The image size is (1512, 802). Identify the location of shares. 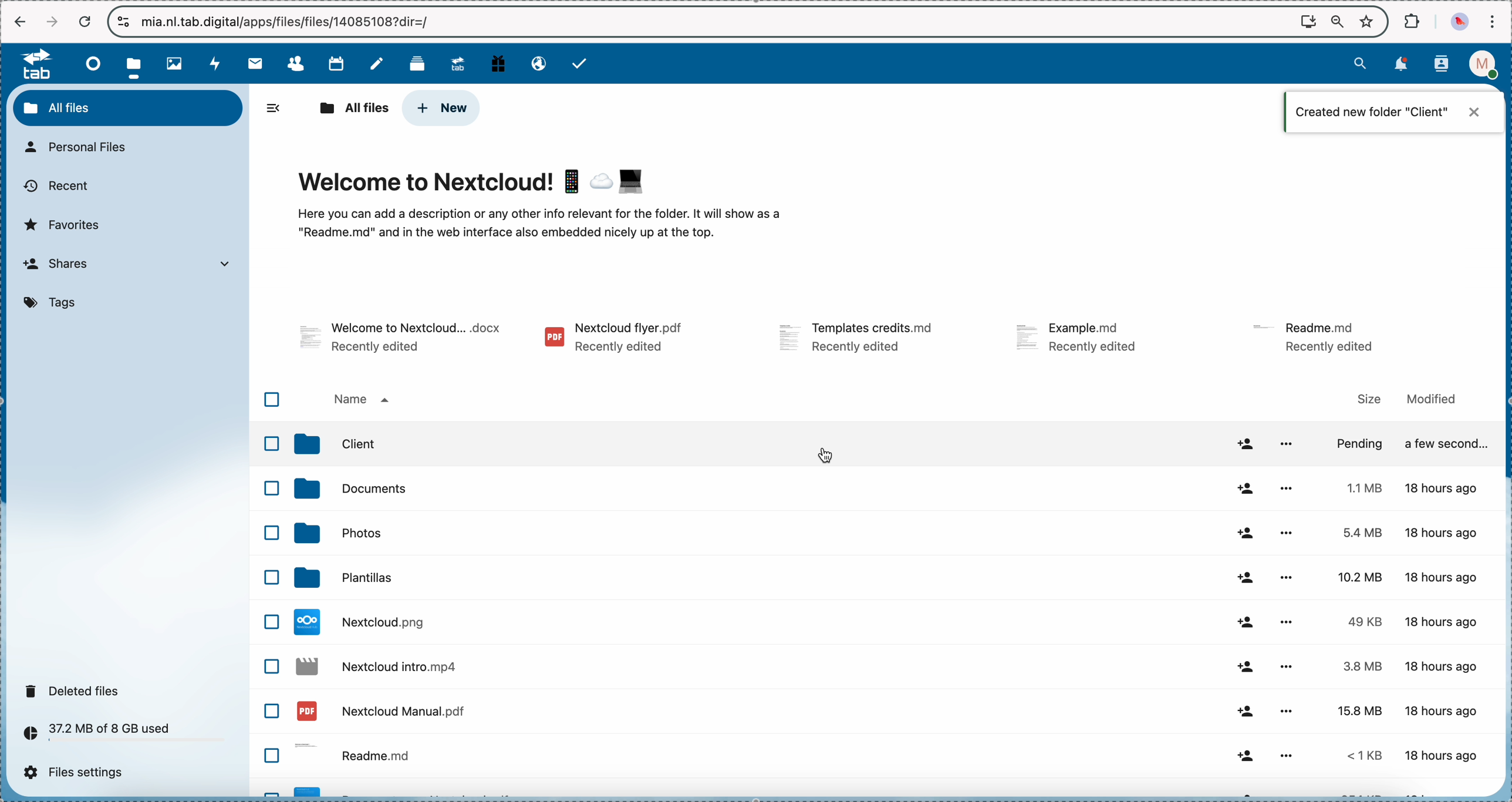
(125, 266).